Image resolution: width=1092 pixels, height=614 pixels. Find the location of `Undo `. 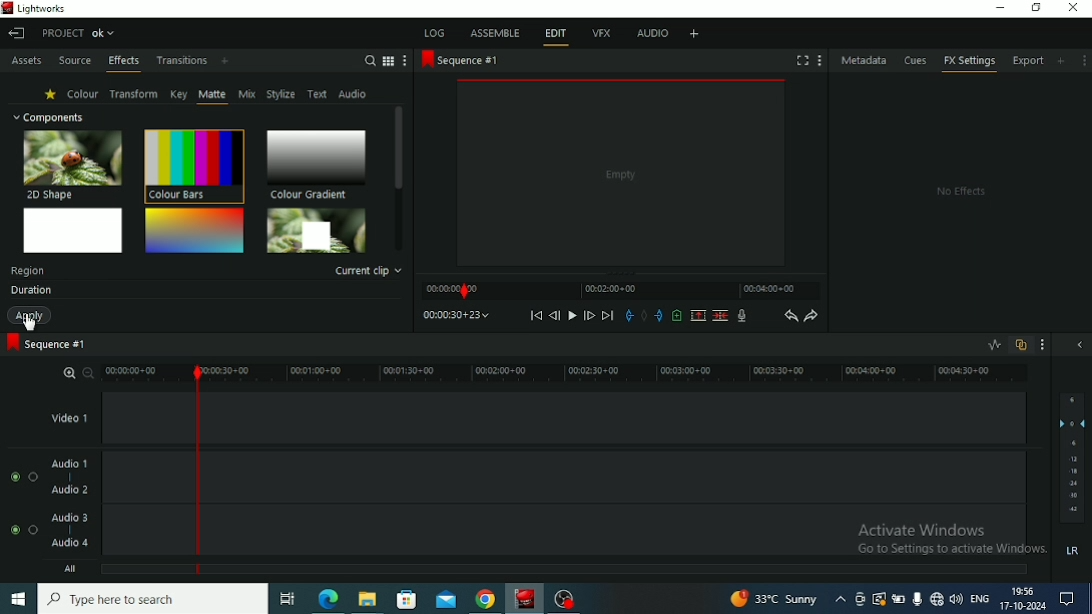

Undo  is located at coordinates (790, 315).